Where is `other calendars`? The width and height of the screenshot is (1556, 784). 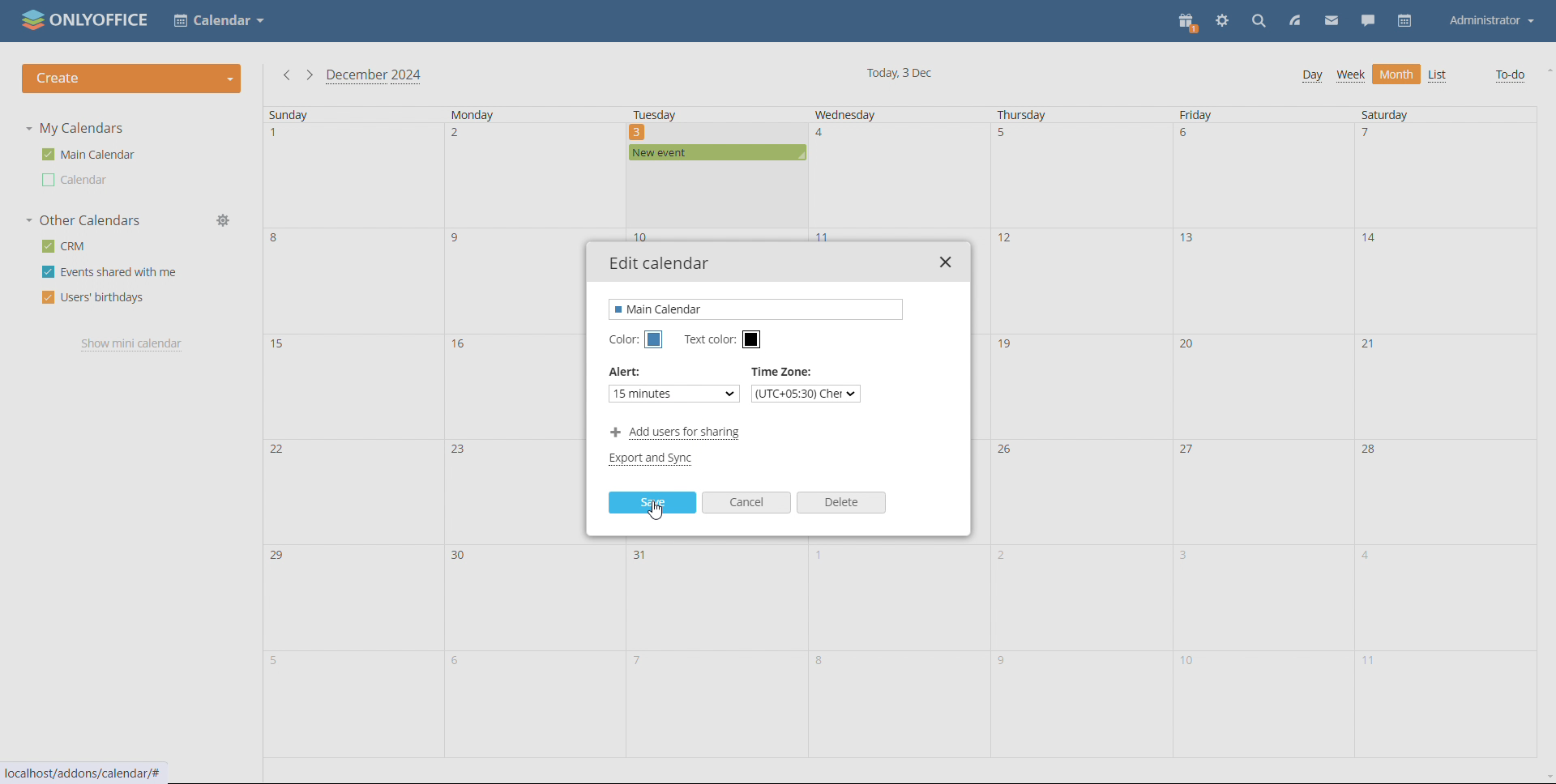
other calendars is located at coordinates (83, 221).